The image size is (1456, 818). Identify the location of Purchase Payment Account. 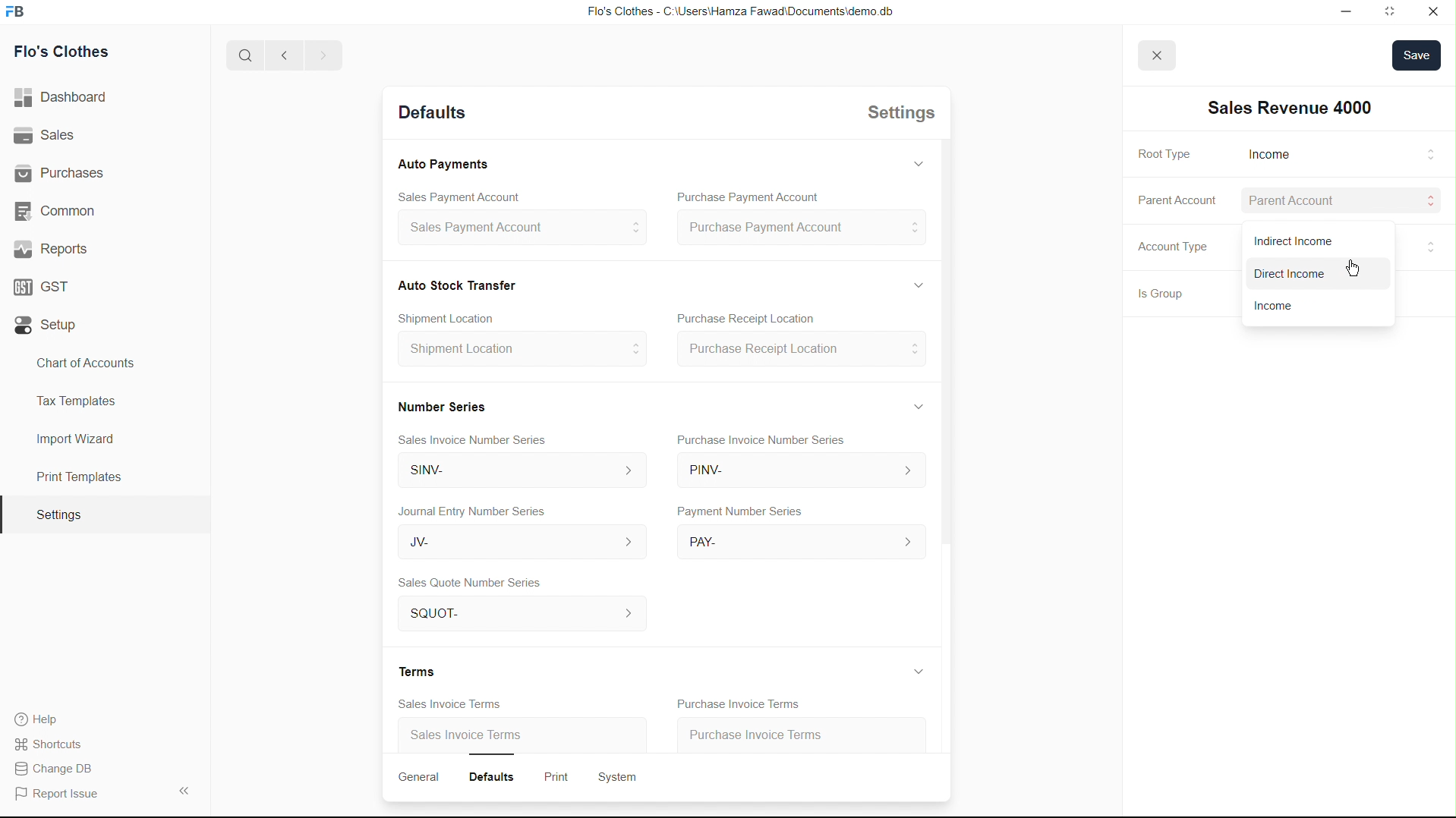
(742, 197).